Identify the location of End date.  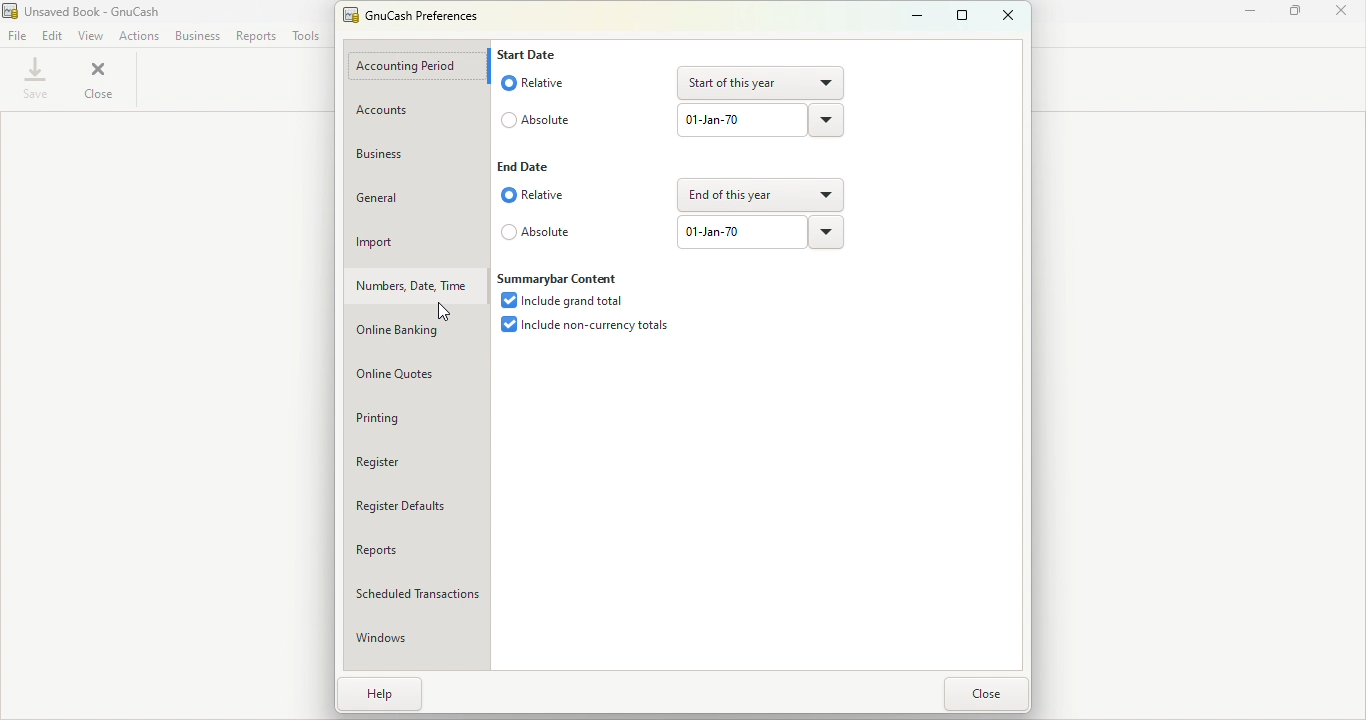
(532, 165).